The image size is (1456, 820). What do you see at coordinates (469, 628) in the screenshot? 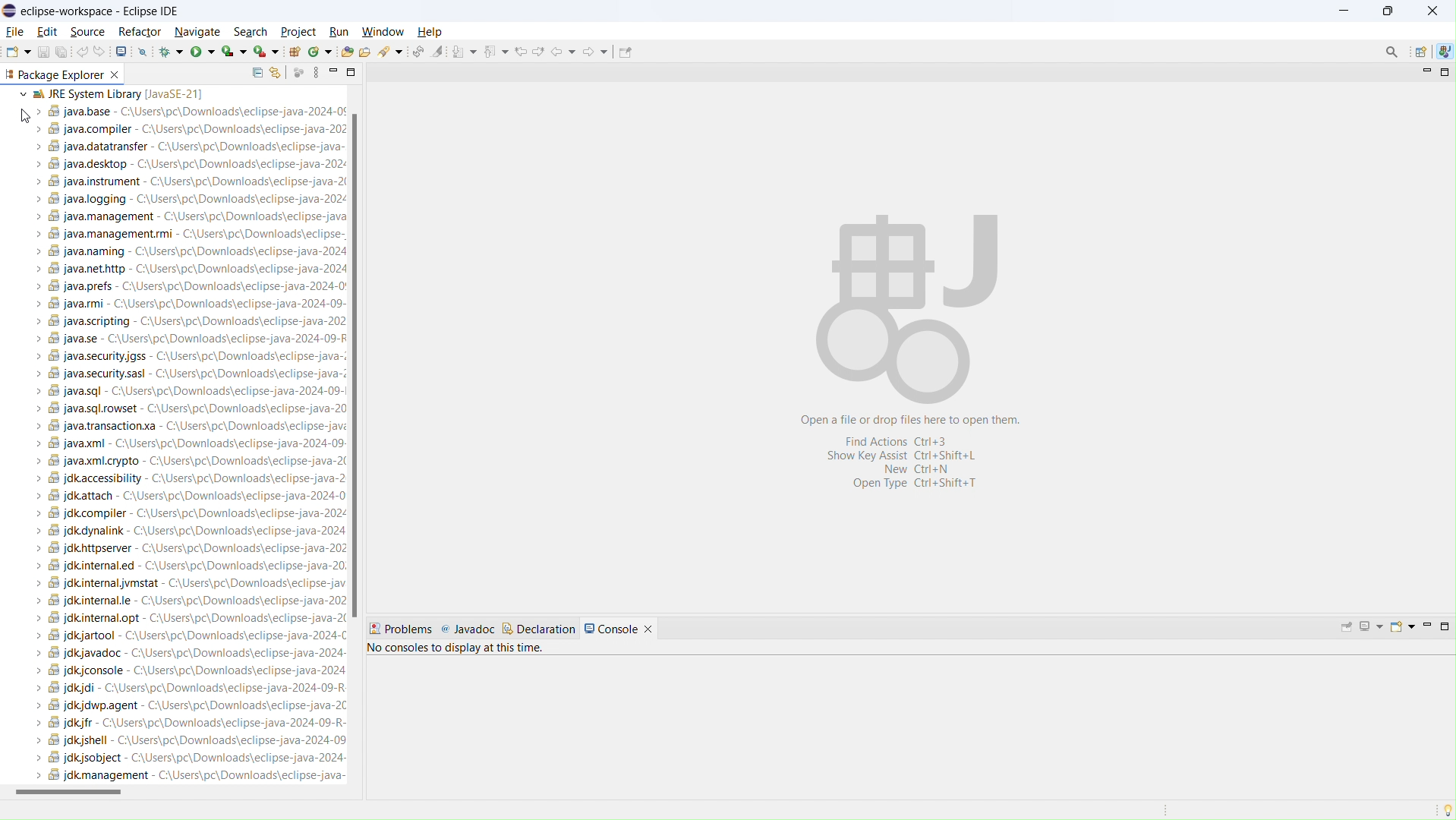
I see `javadoc` at bounding box center [469, 628].